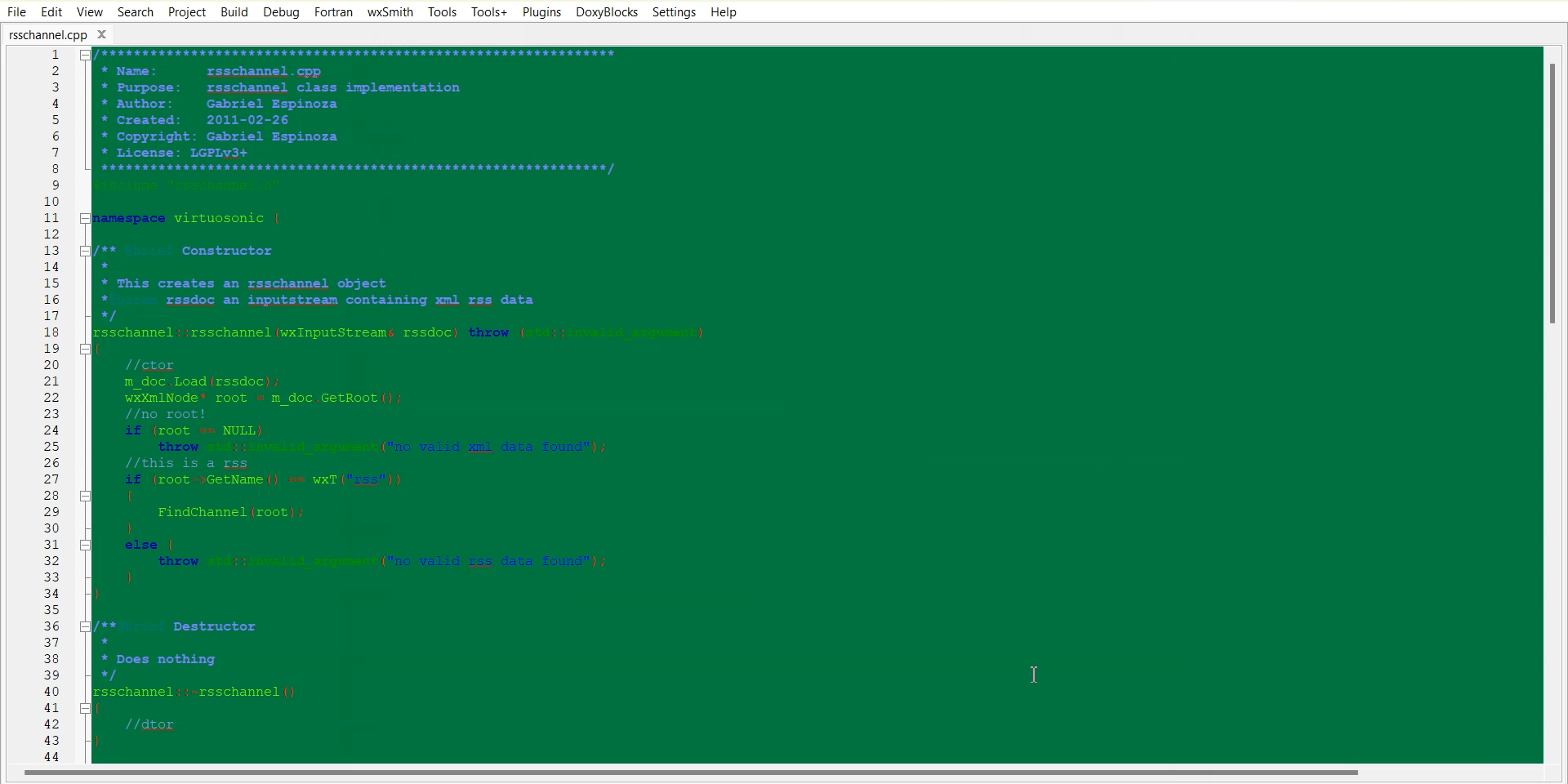 The image size is (1568, 784). What do you see at coordinates (442, 11) in the screenshot?
I see `Tools` at bounding box center [442, 11].